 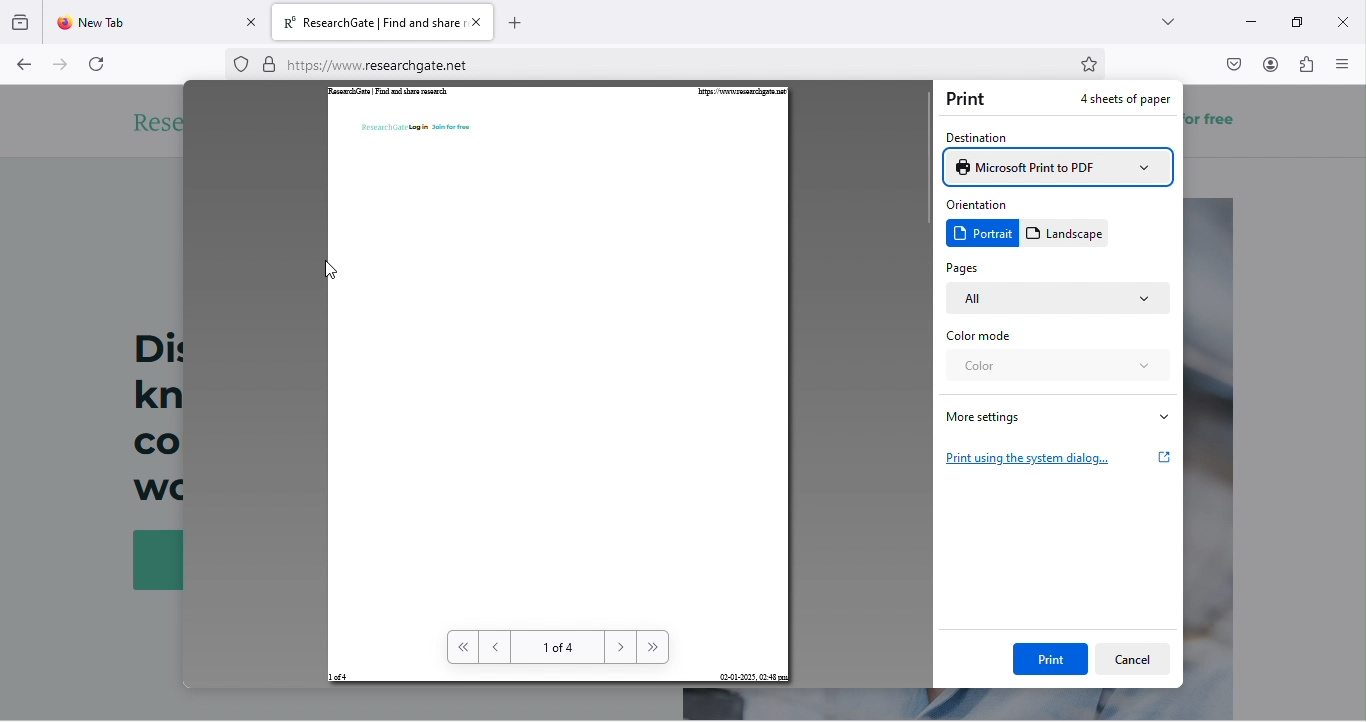 What do you see at coordinates (986, 338) in the screenshot?
I see `color mode` at bounding box center [986, 338].